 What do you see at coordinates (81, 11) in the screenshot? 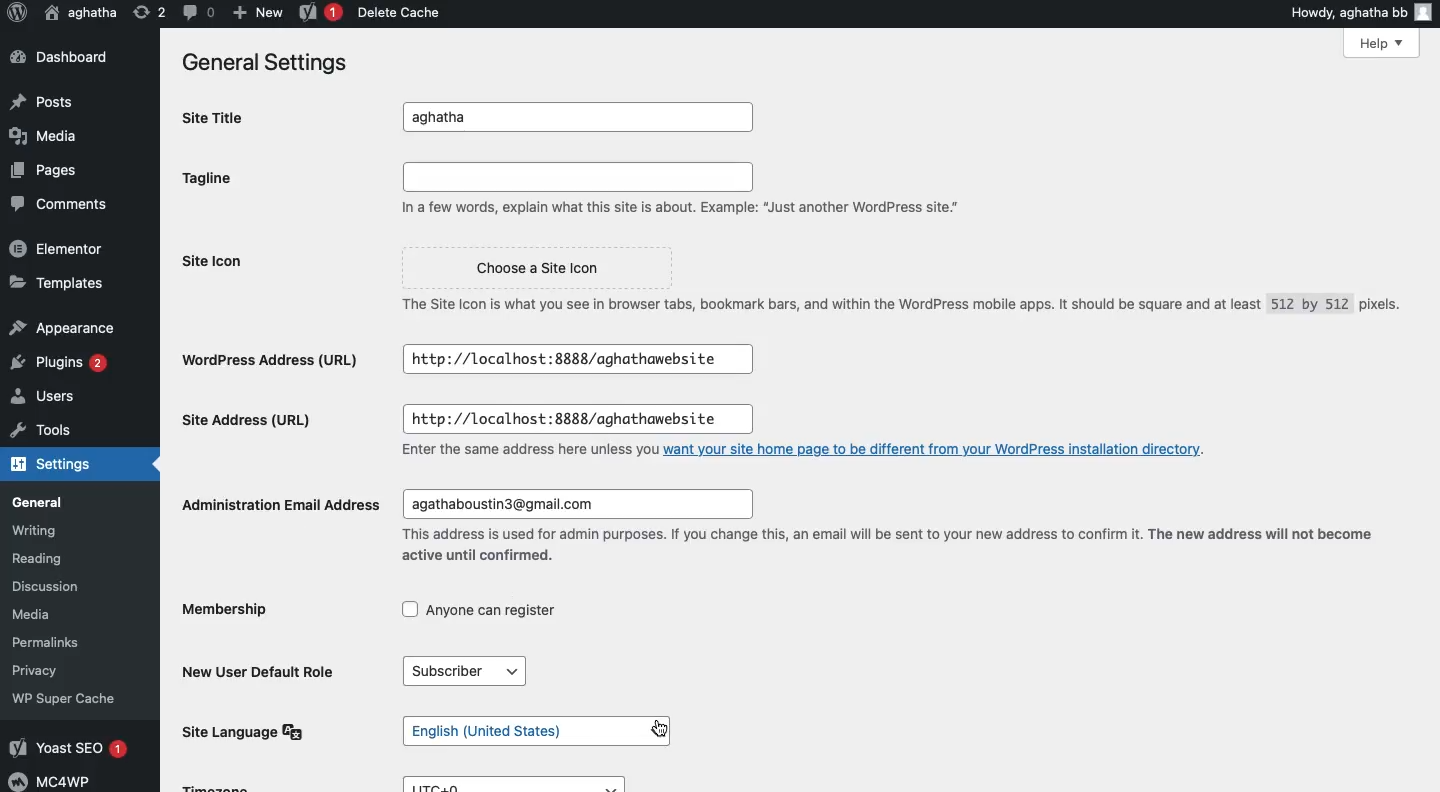
I see `aghatha` at bounding box center [81, 11].